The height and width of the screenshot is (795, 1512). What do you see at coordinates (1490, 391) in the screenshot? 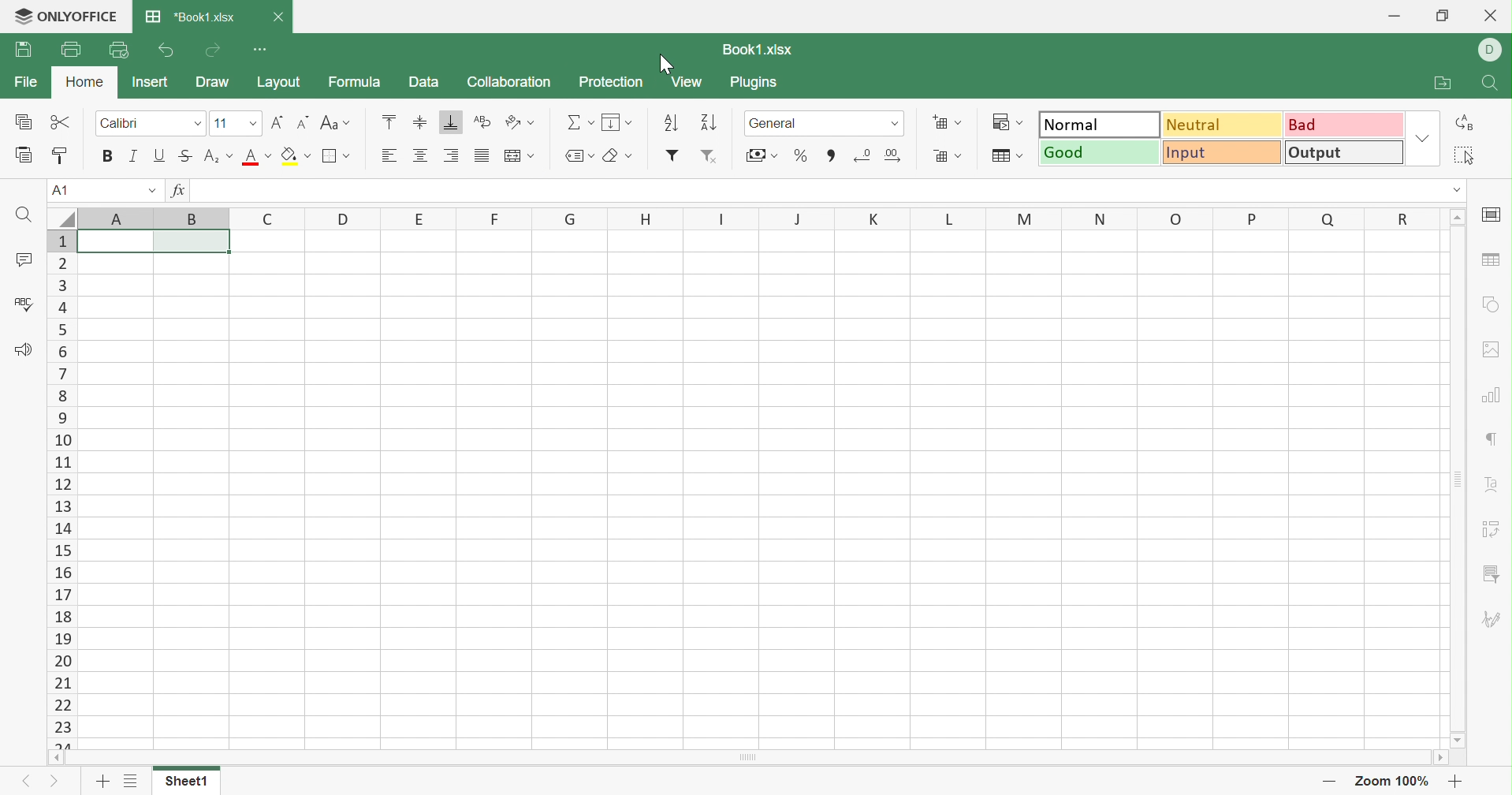
I see `Chart settings` at bounding box center [1490, 391].